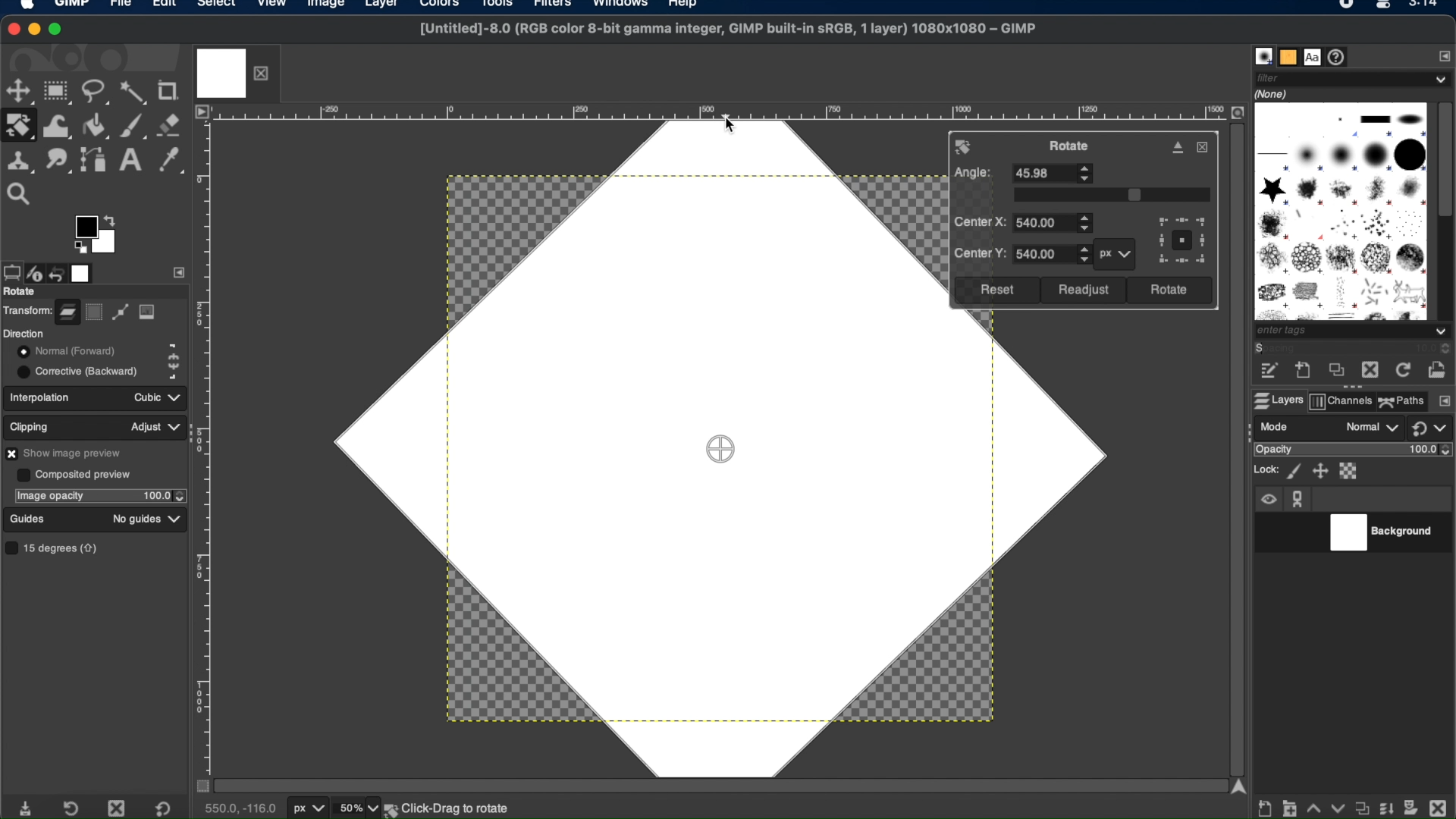 This screenshot has width=1456, height=819. What do you see at coordinates (58, 92) in the screenshot?
I see `rectangle select tool` at bounding box center [58, 92].